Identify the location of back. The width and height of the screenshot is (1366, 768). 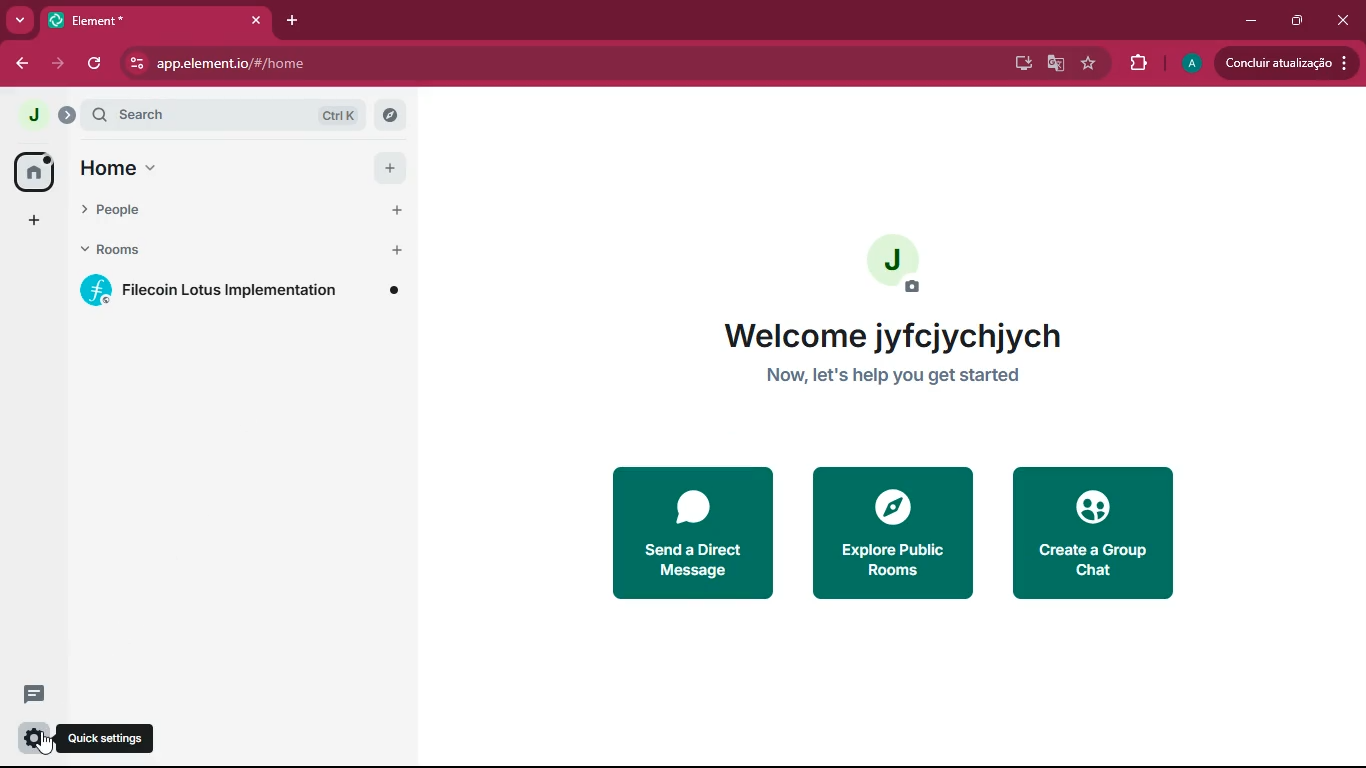
(22, 64).